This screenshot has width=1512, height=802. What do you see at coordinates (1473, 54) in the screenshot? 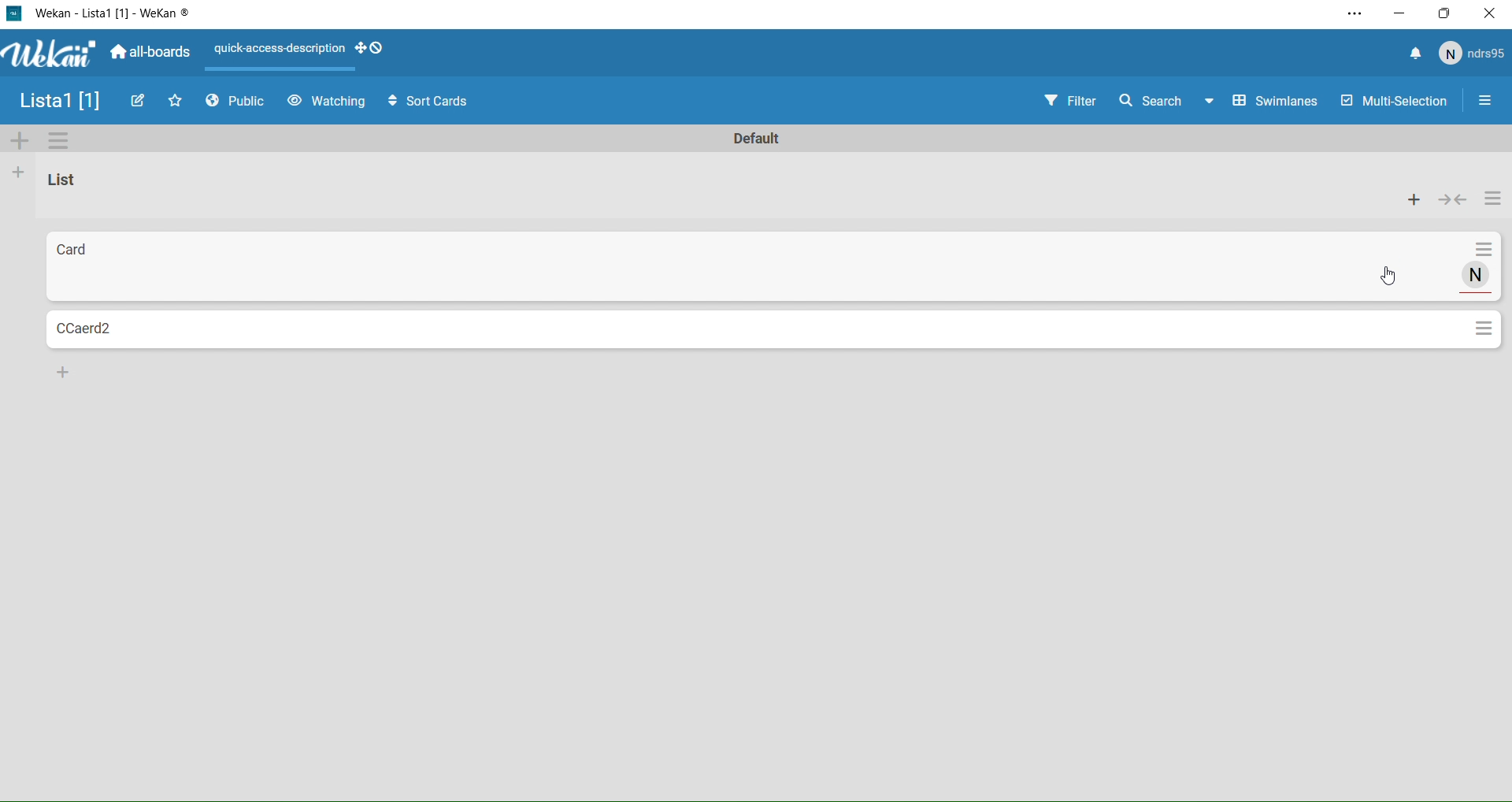
I see `User` at bounding box center [1473, 54].